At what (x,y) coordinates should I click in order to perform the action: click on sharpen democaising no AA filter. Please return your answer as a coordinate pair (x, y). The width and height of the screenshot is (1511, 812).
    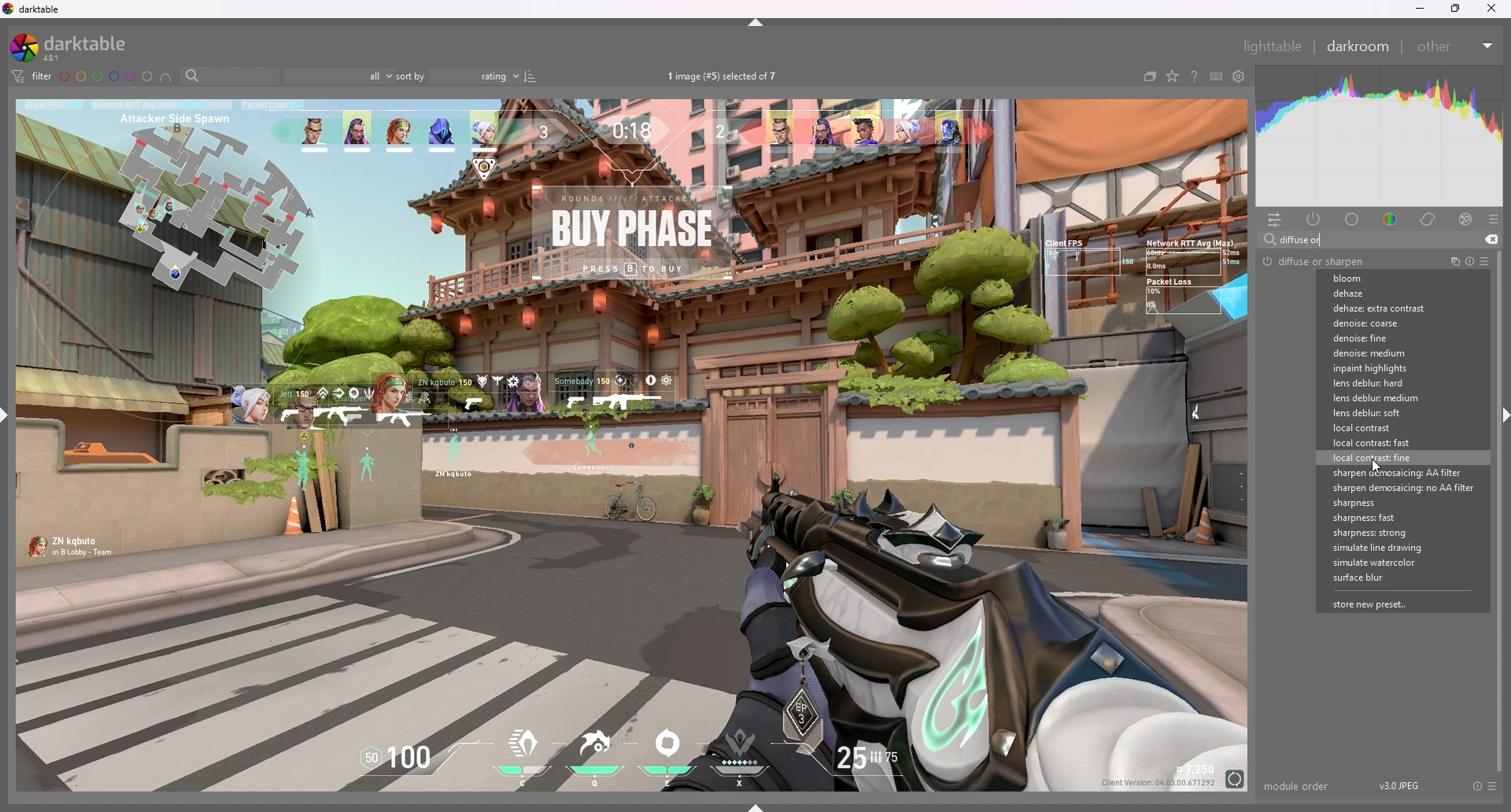
    Looking at the image, I should click on (1399, 488).